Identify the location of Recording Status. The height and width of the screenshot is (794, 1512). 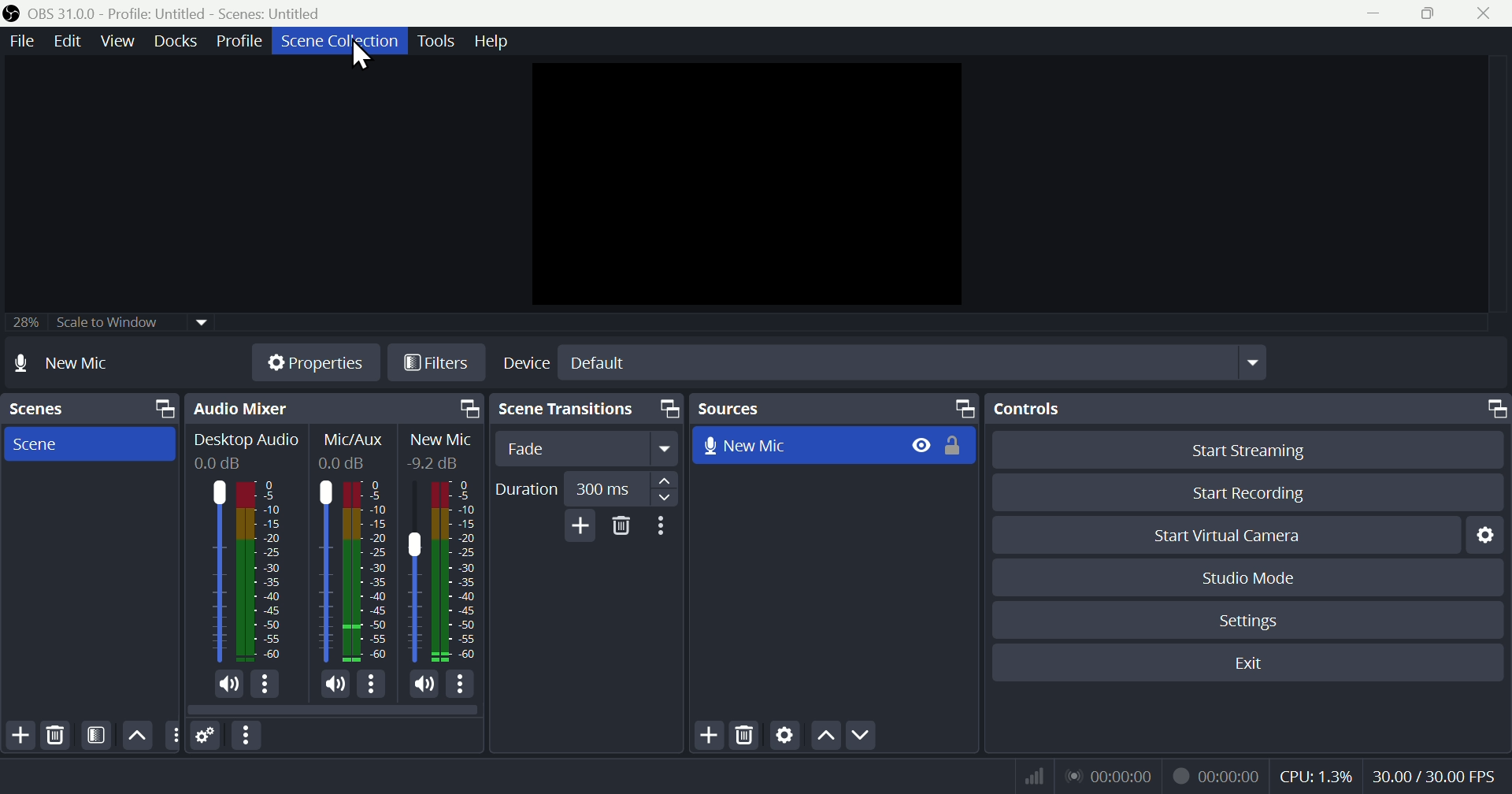
(1215, 776).